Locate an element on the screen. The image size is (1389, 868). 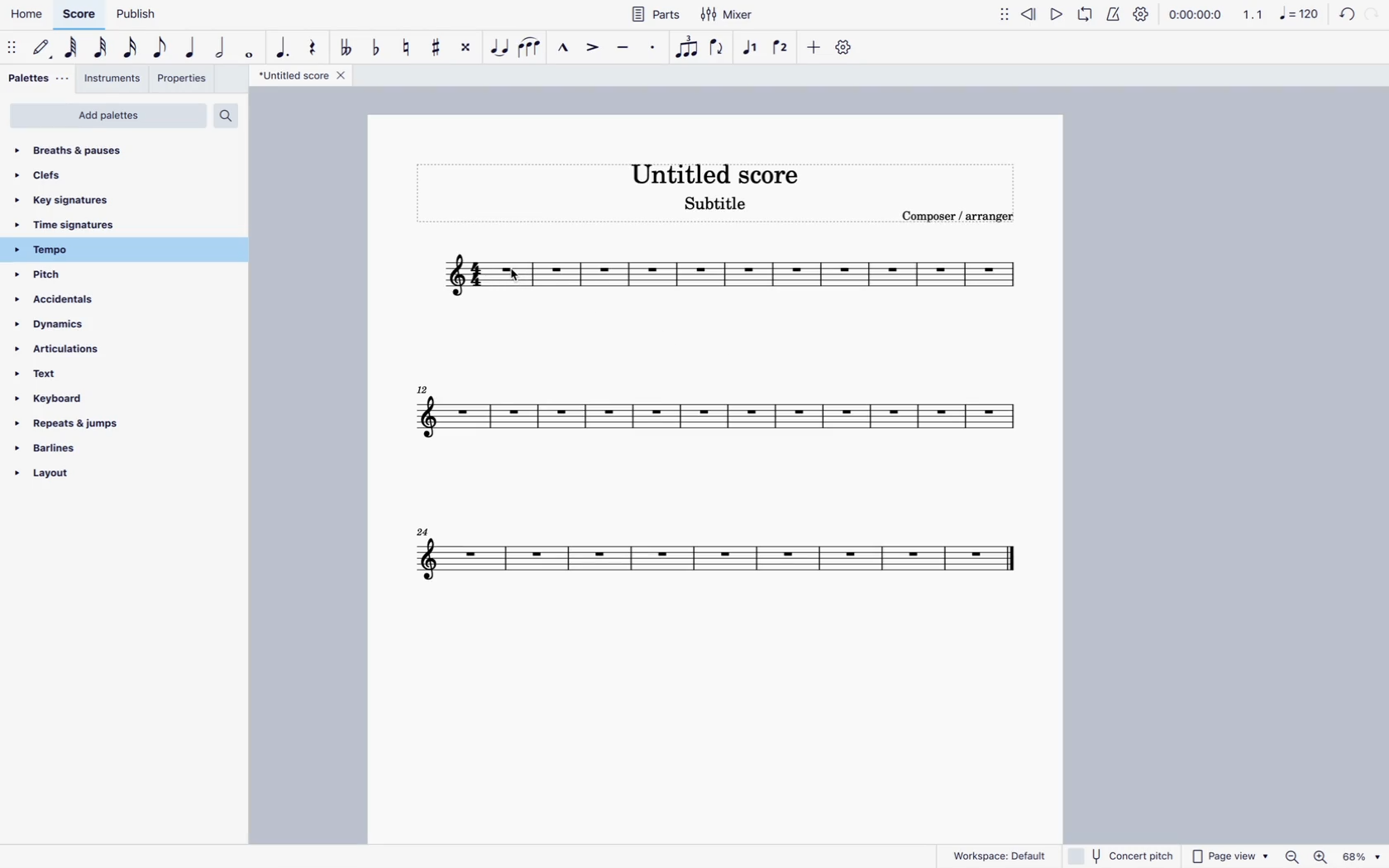
layout is located at coordinates (63, 480).